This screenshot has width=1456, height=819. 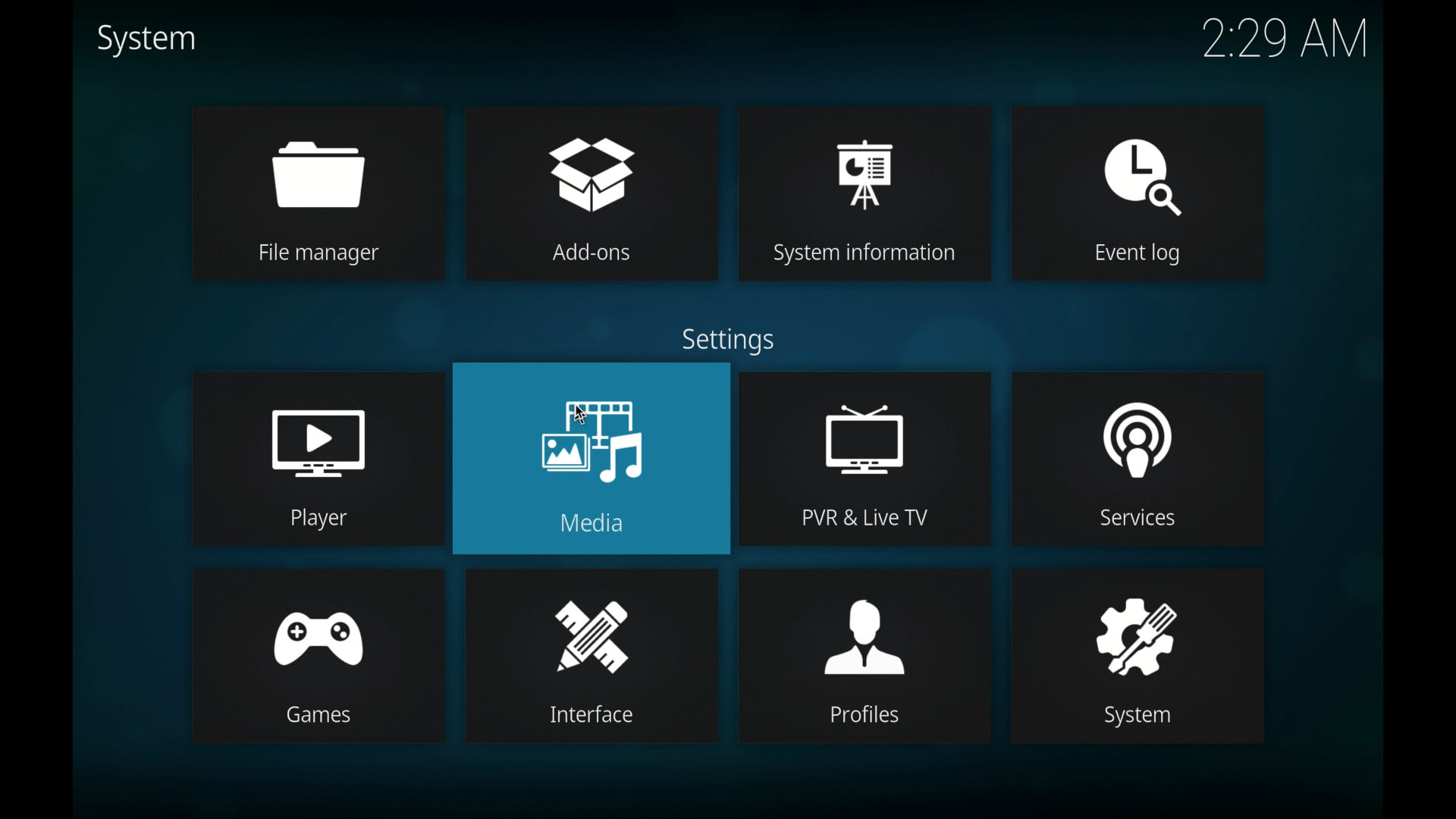 I want to click on interface, so click(x=596, y=624).